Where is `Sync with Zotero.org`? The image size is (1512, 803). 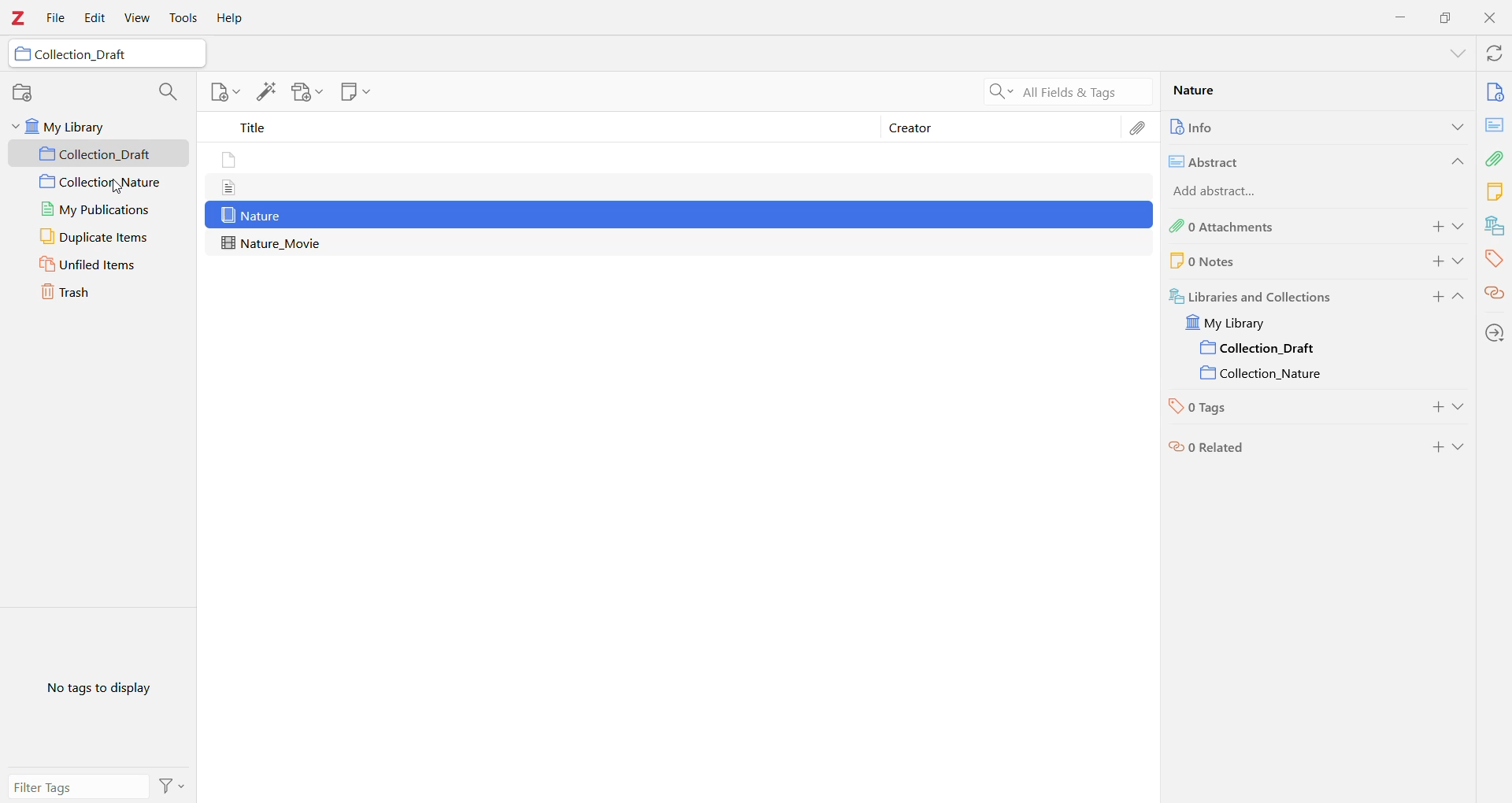
Sync with Zotero.org is located at coordinates (1492, 54).